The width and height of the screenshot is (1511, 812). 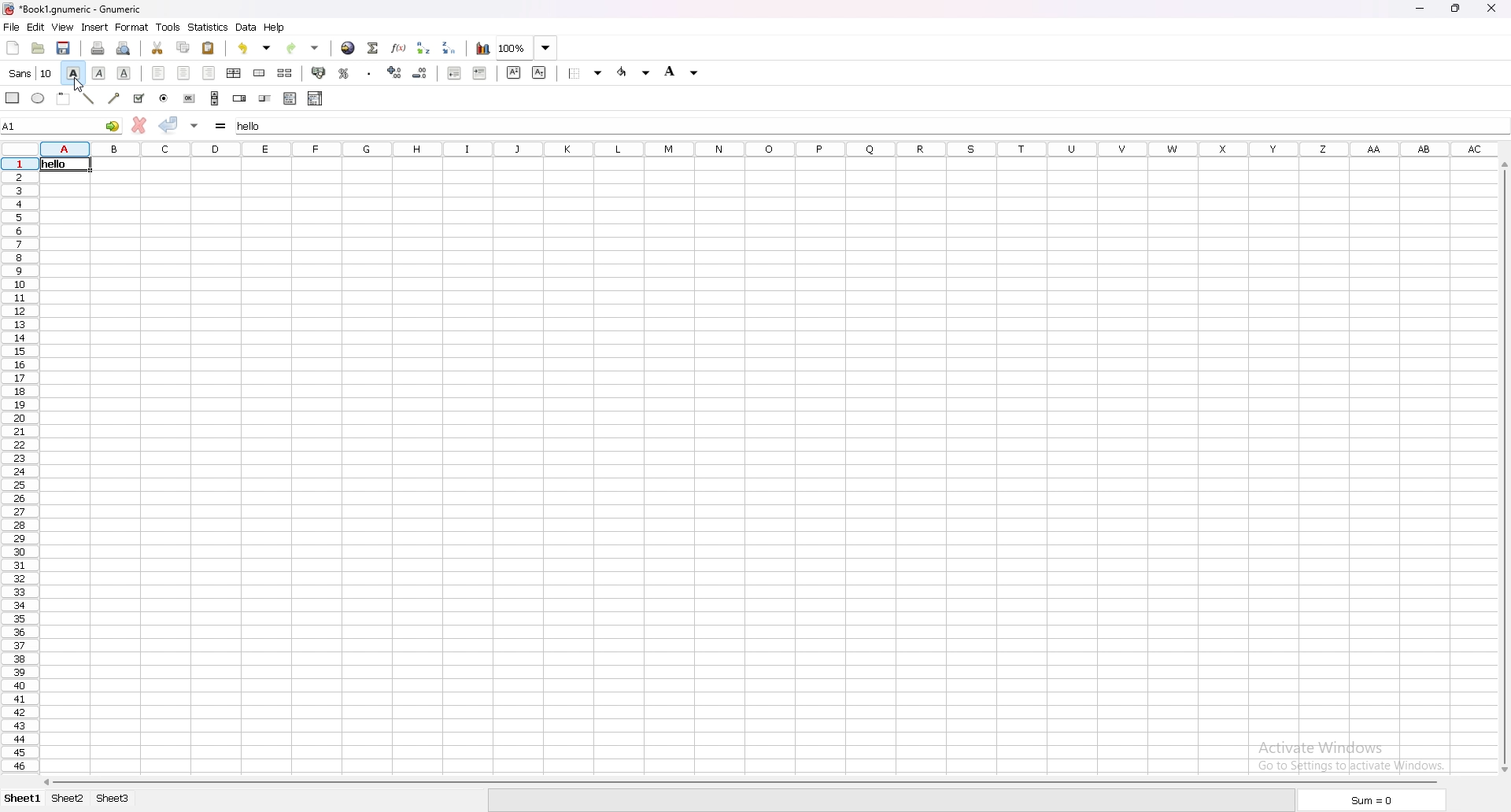 I want to click on data, so click(x=247, y=27).